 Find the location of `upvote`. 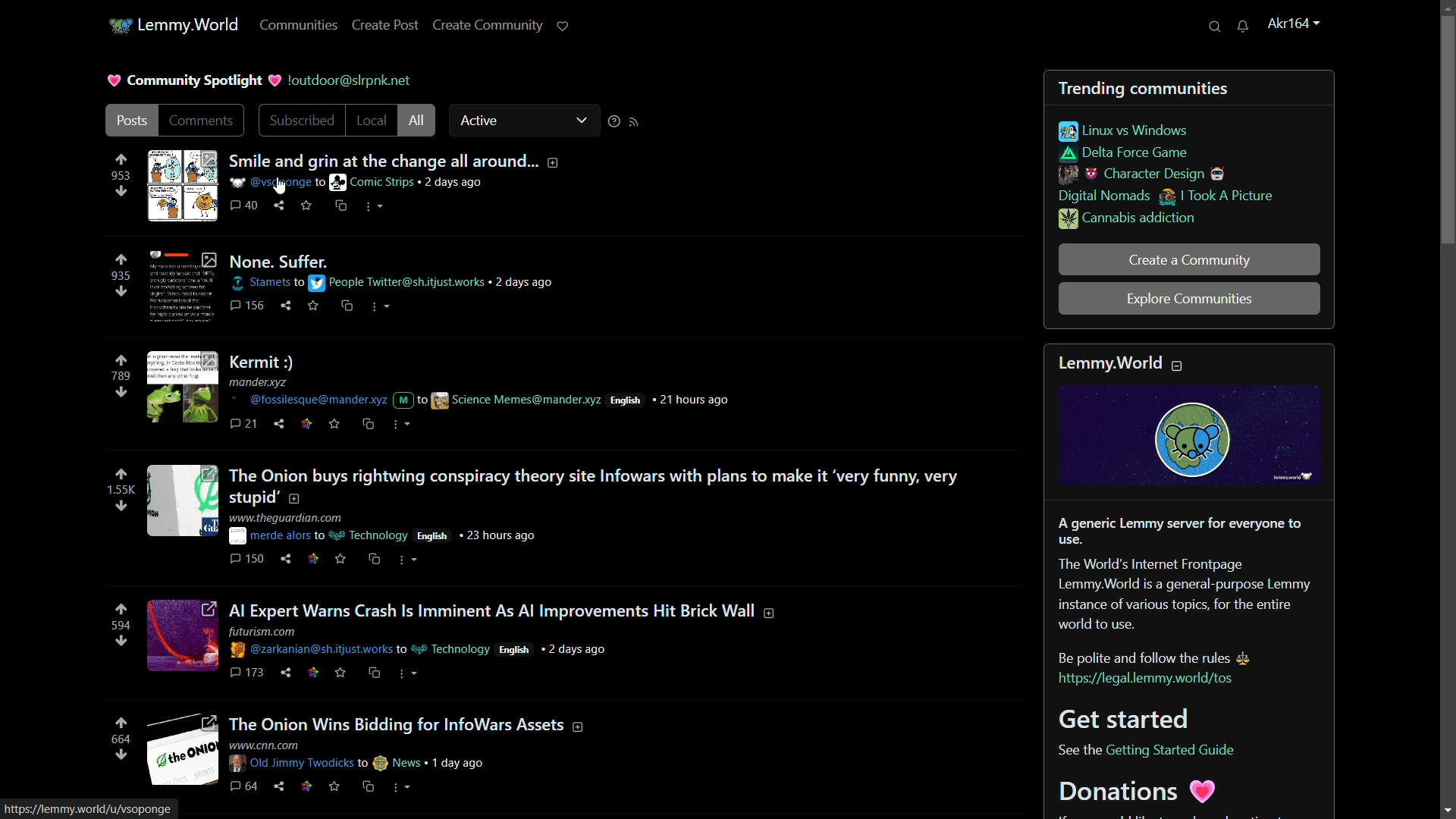

upvote is located at coordinates (124, 723).